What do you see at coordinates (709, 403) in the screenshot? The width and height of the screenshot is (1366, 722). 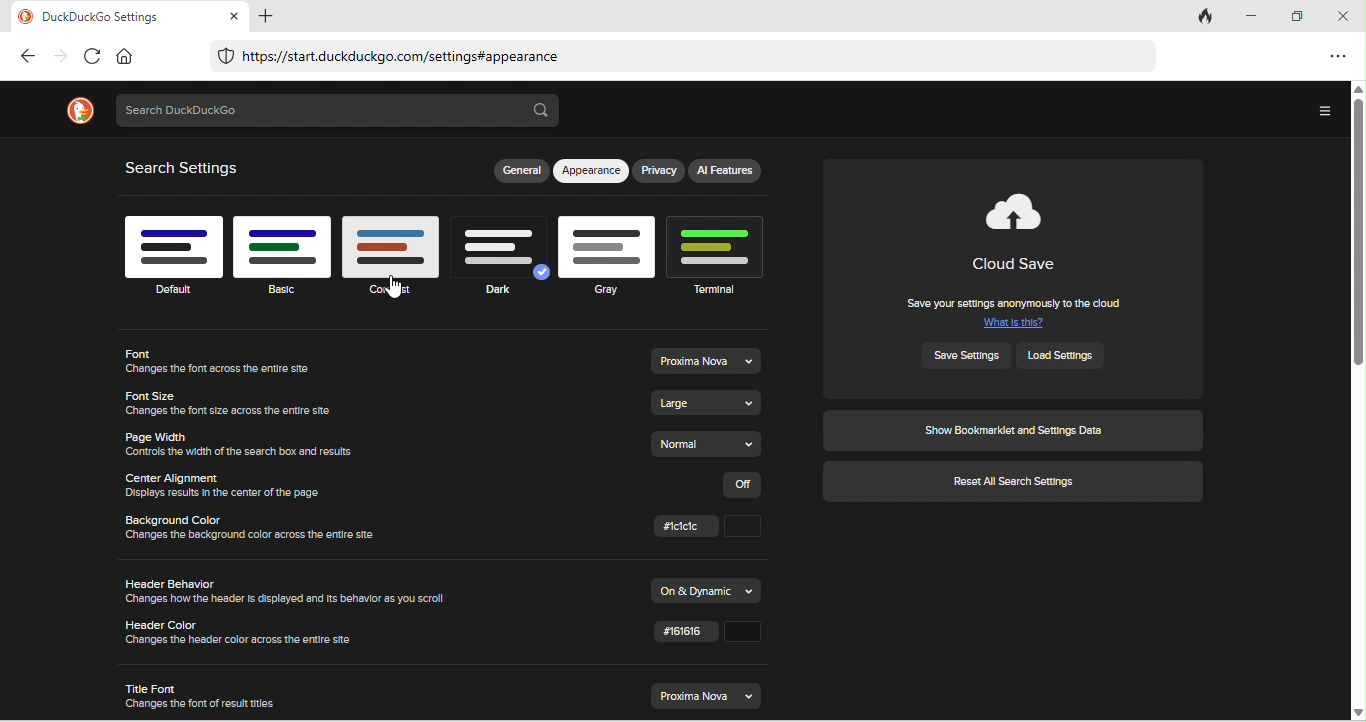 I see `large` at bounding box center [709, 403].